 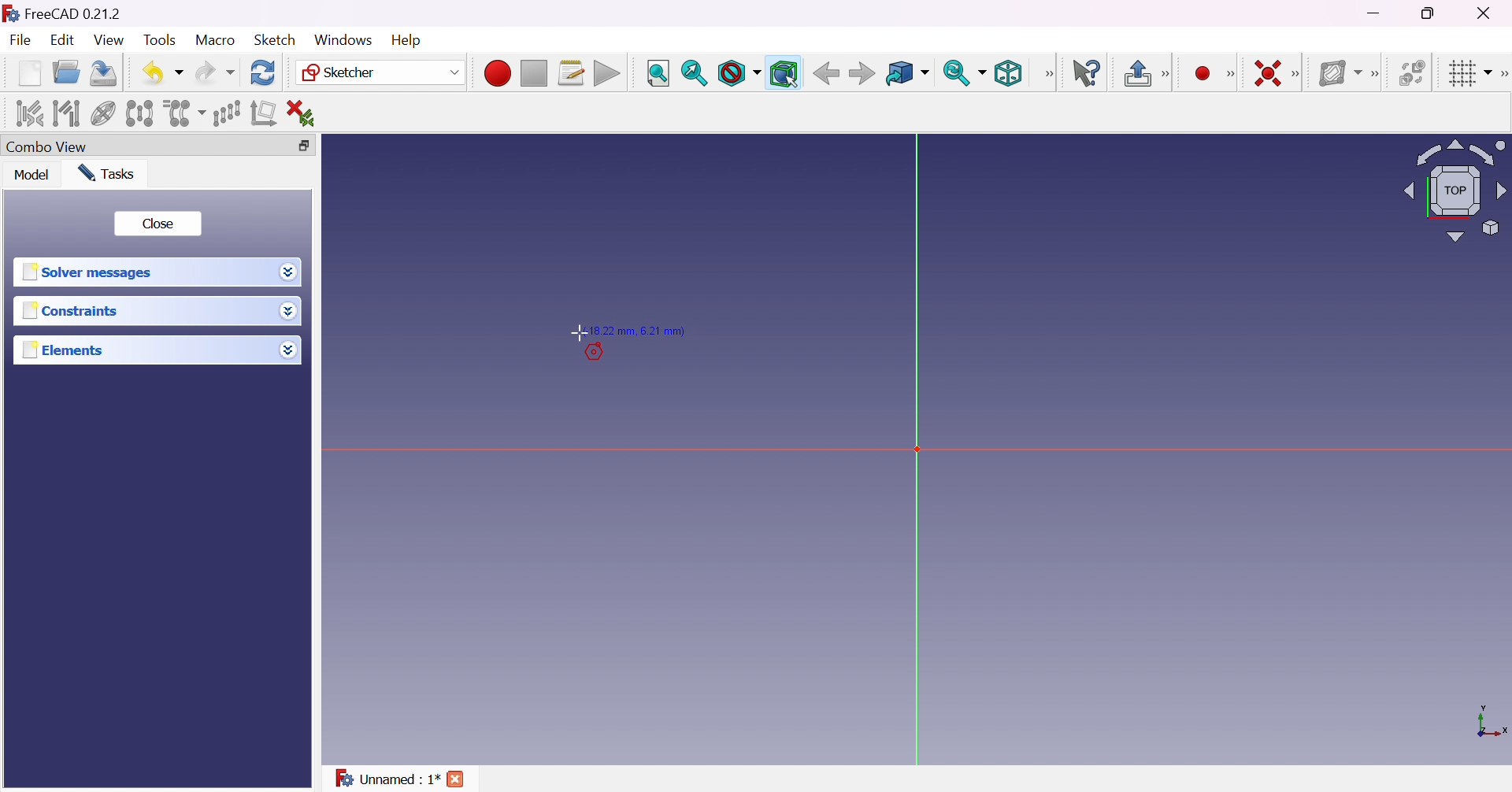 What do you see at coordinates (31, 76) in the screenshot?
I see `New` at bounding box center [31, 76].